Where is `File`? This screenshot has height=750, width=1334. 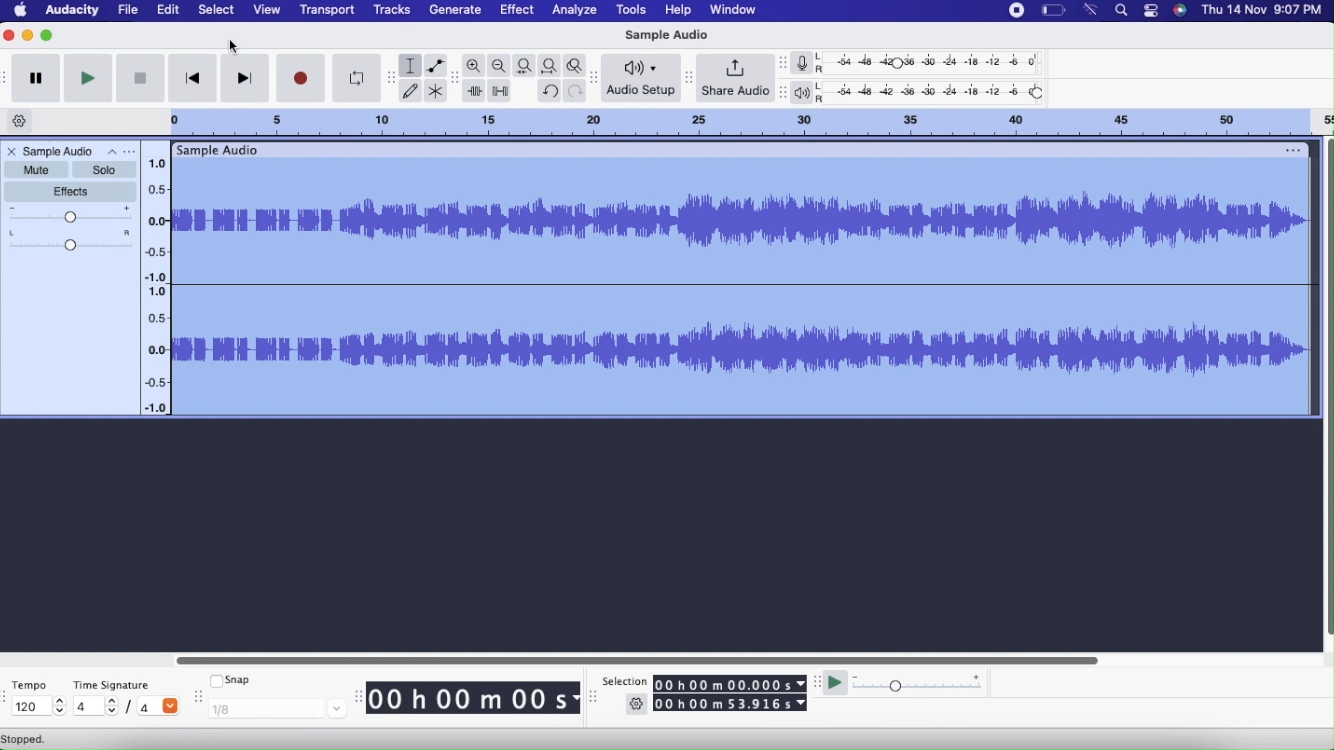
File is located at coordinates (128, 9).